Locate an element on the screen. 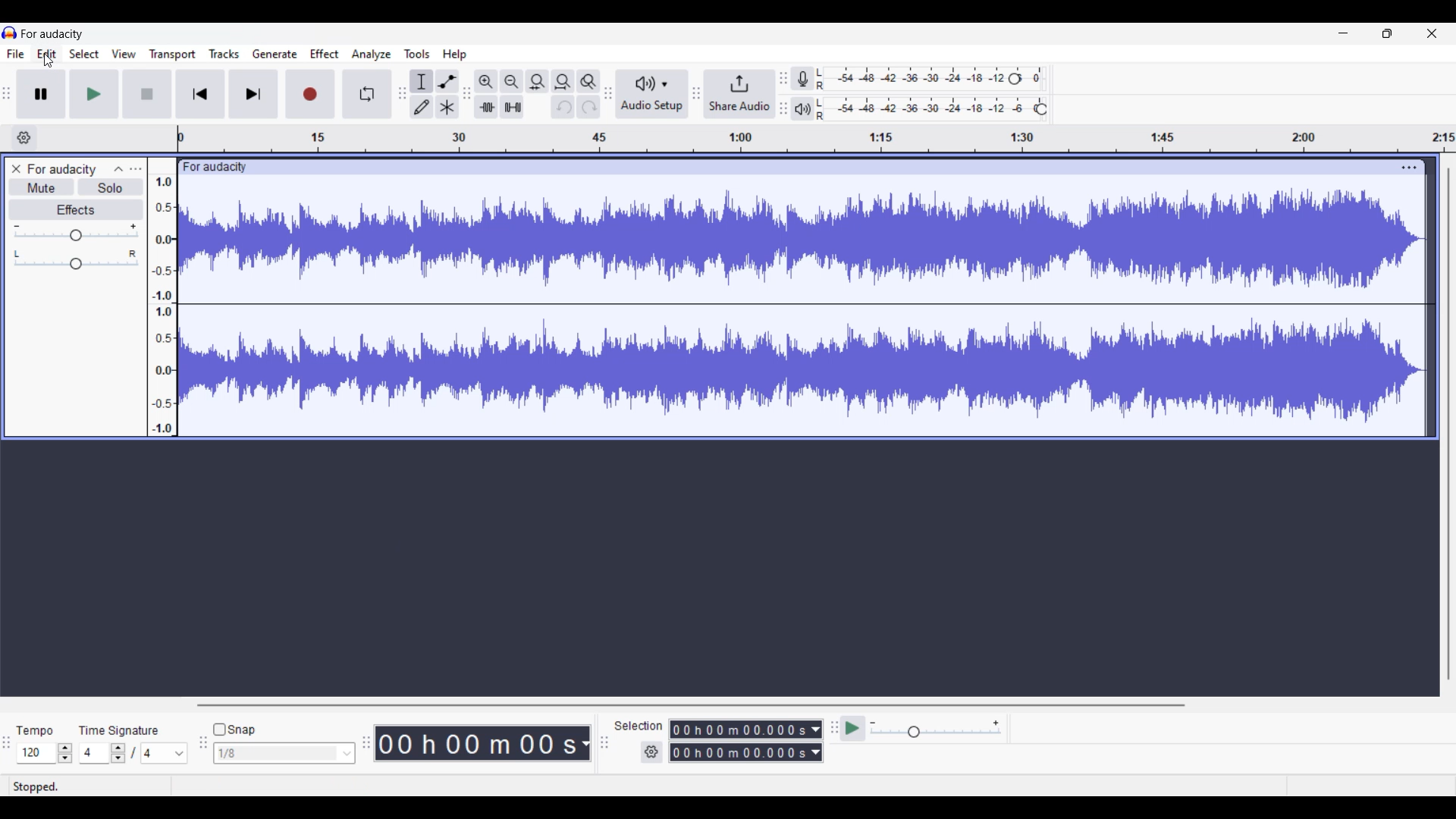 The image size is (1456, 819). Skip/Select to start is located at coordinates (200, 94).